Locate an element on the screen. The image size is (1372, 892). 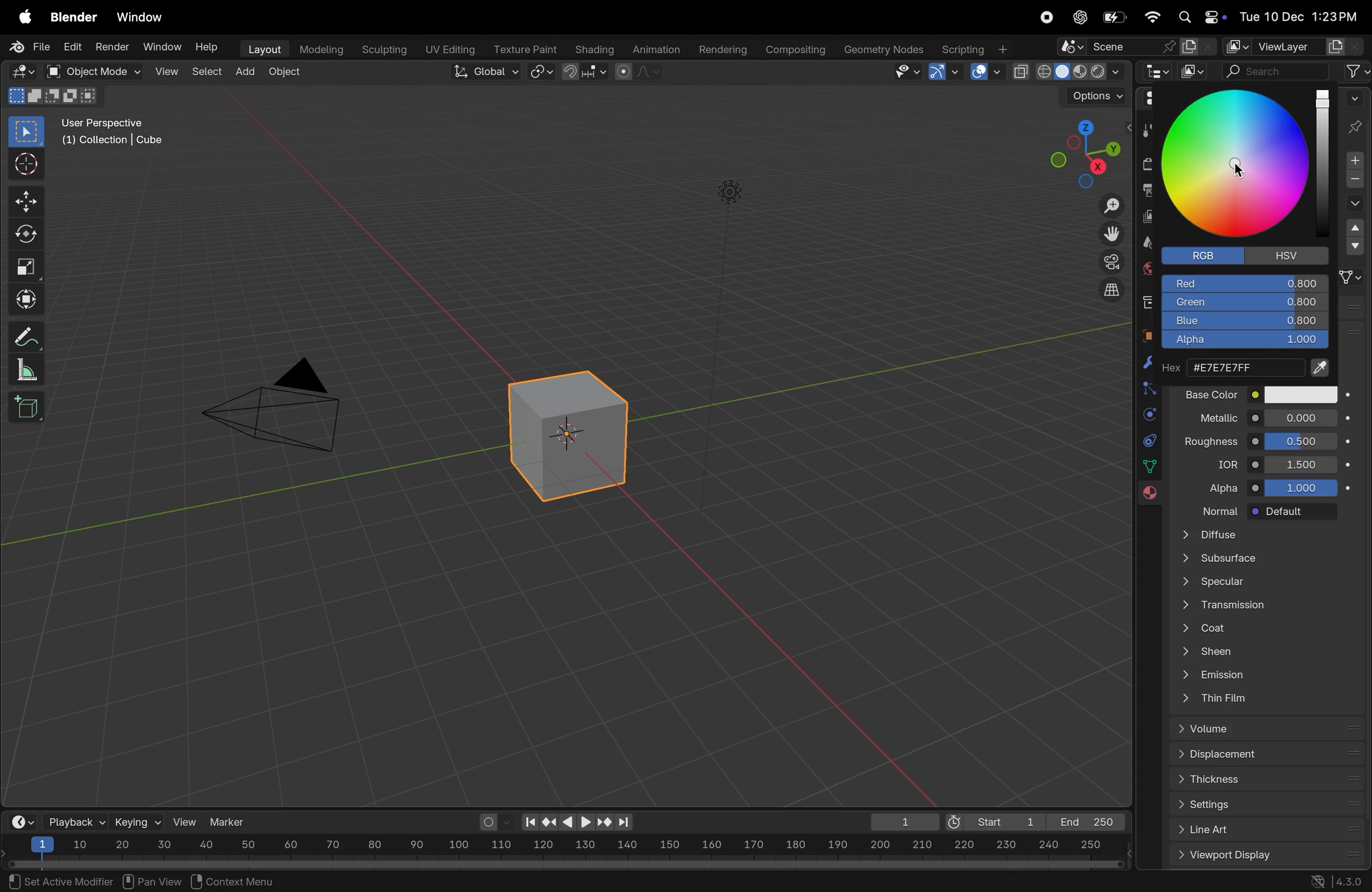
0.000 is located at coordinates (1303, 440).